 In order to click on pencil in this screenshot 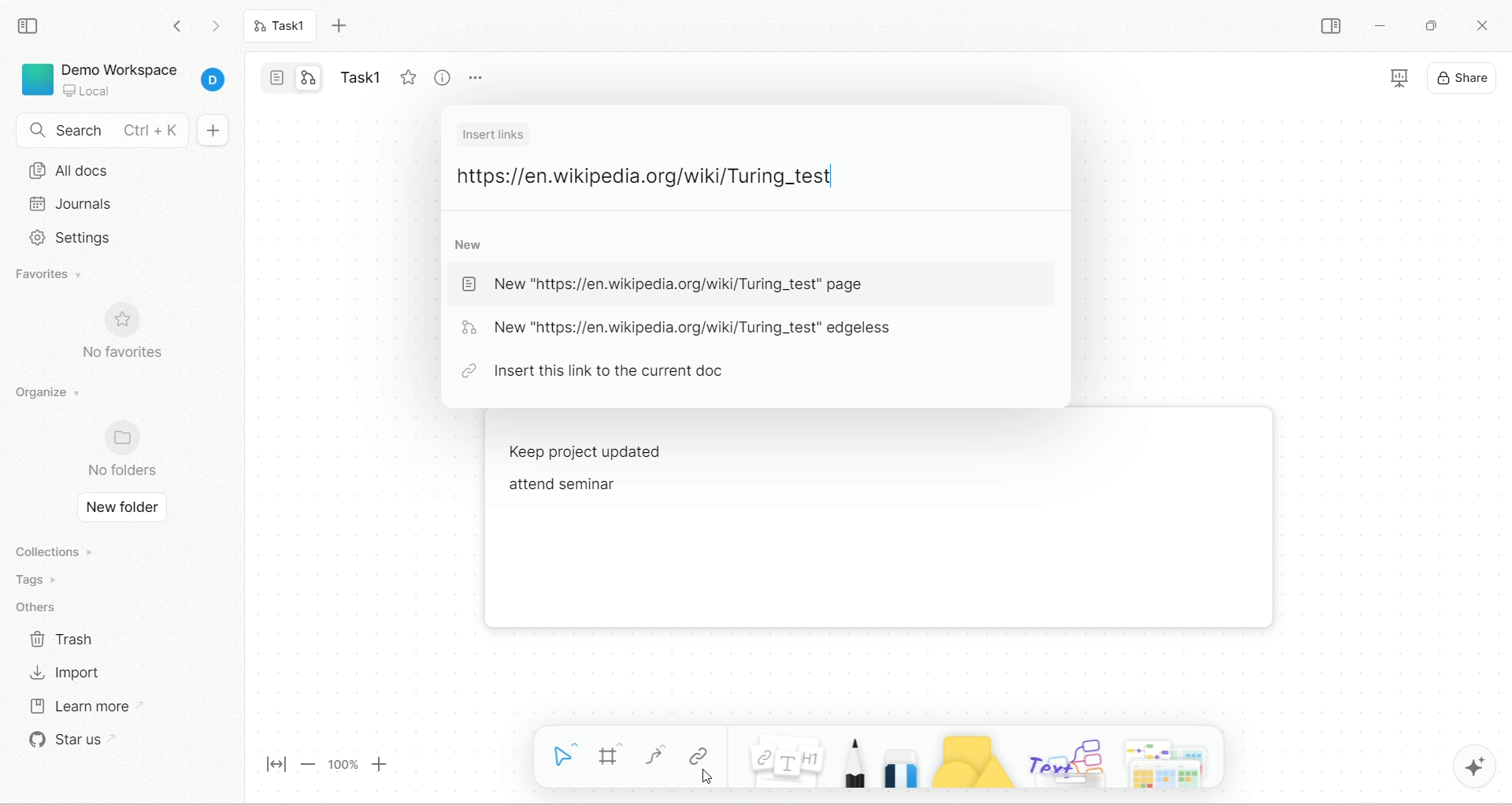, I will do `click(852, 764)`.